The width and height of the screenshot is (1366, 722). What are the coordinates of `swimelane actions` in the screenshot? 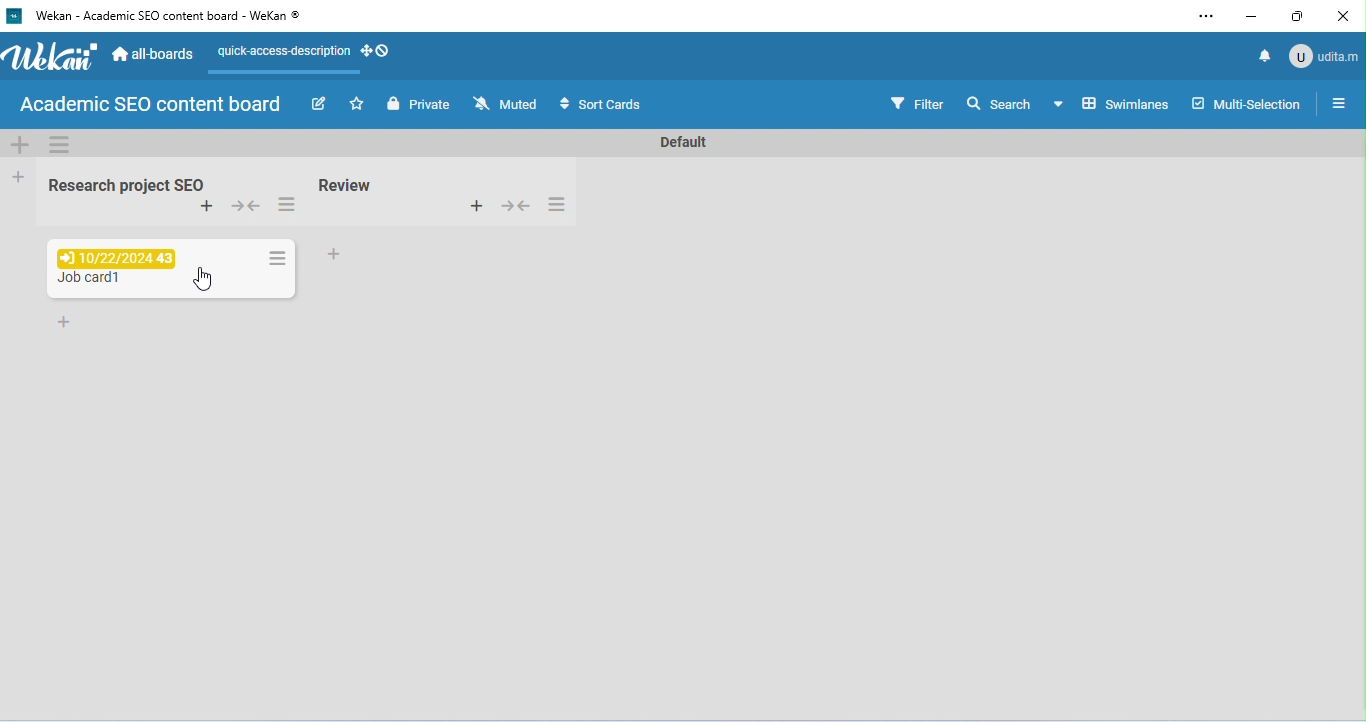 It's located at (61, 144).